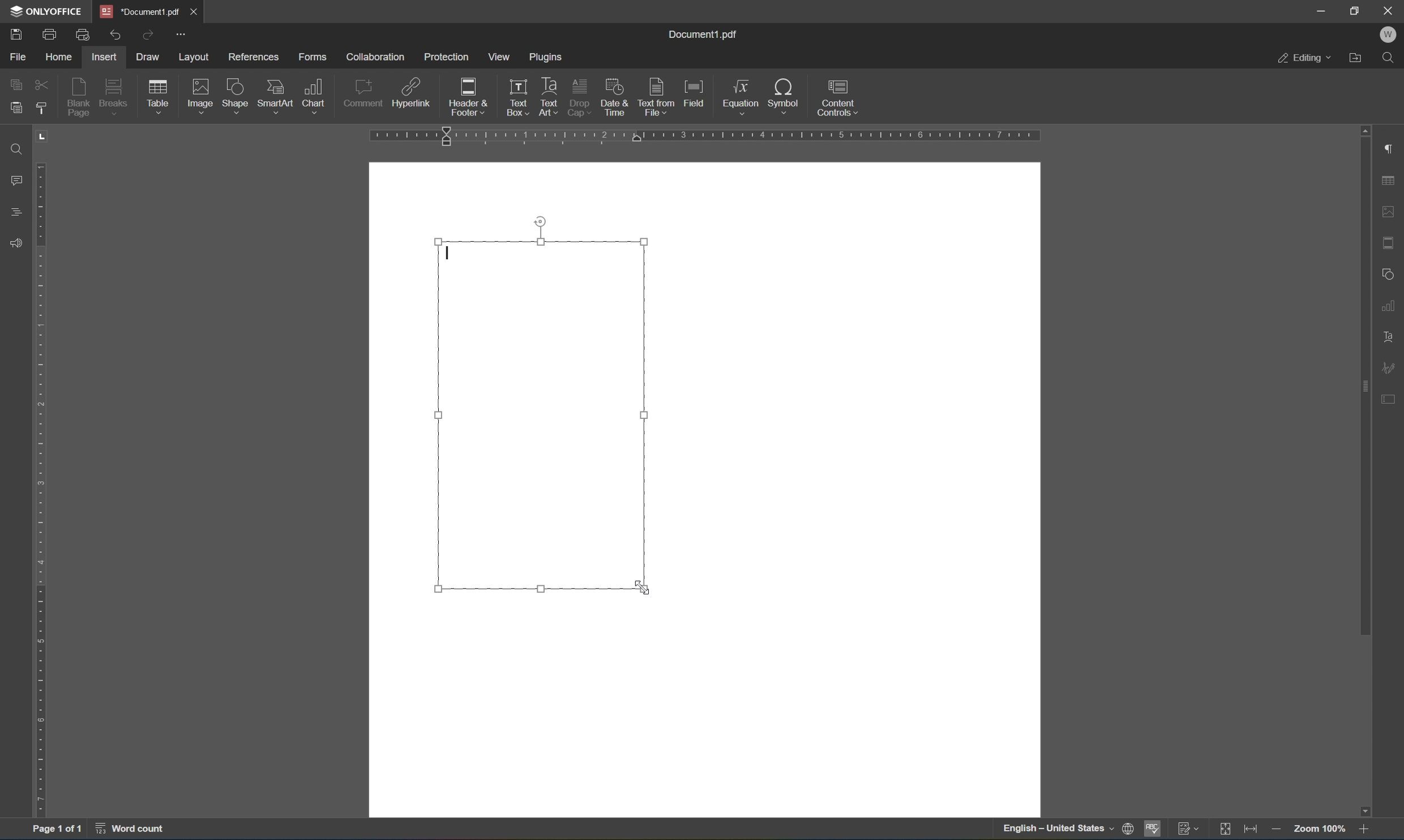 This screenshot has height=840, width=1404. Describe the element at coordinates (1393, 210) in the screenshot. I see `Image settings` at that location.